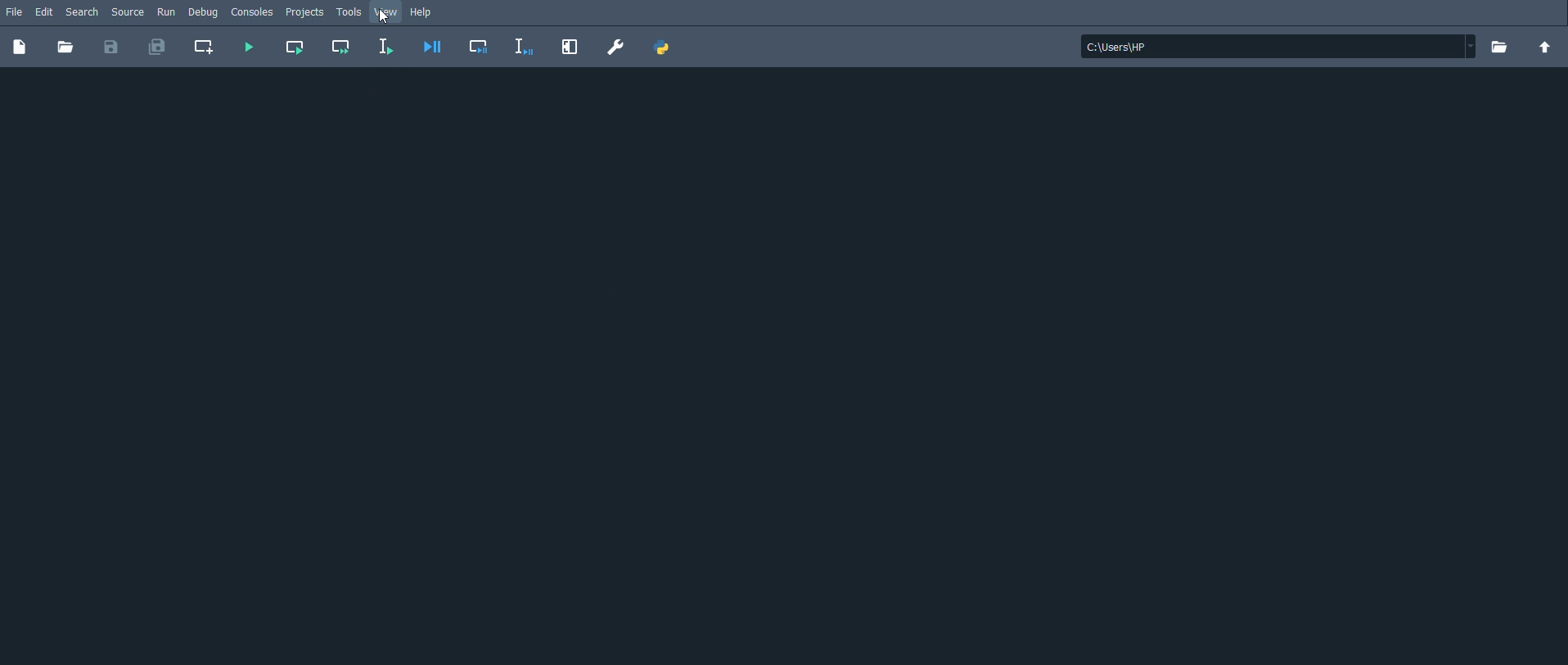 The height and width of the screenshot is (665, 1568). I want to click on PYTHONPATH manager, so click(666, 47).